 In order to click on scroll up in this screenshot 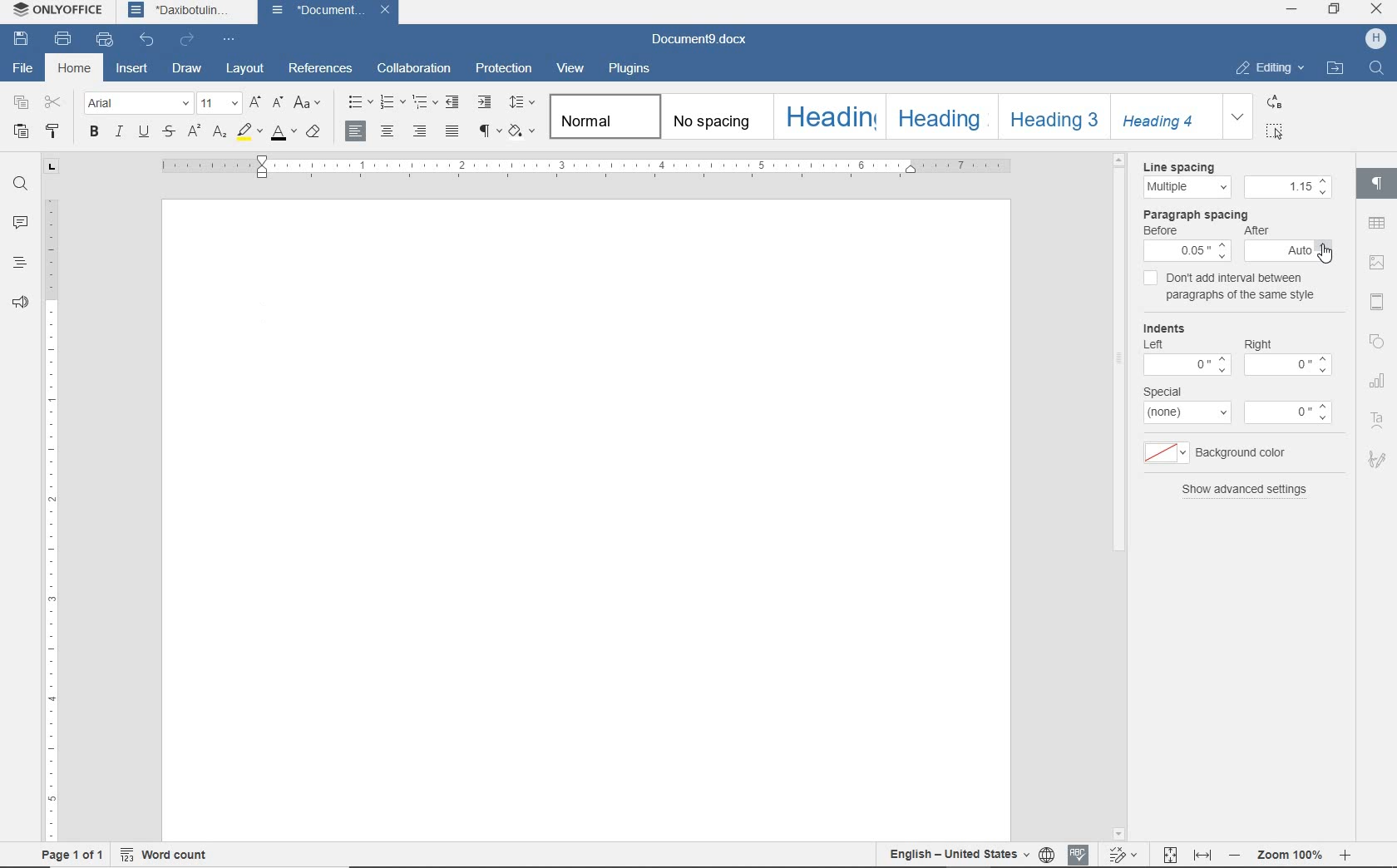, I will do `click(1121, 160)`.